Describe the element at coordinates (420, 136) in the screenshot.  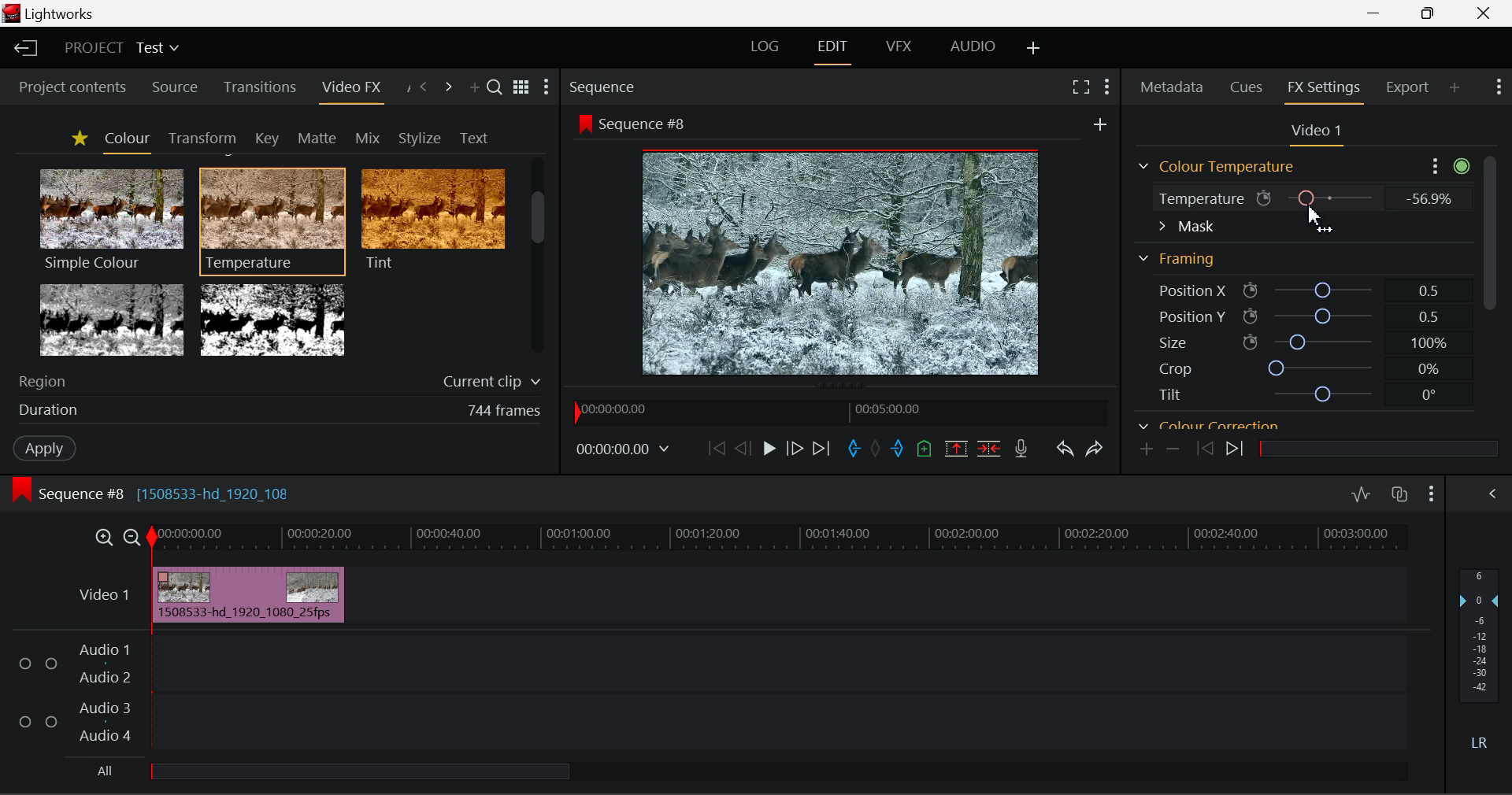
I see `Stylize` at that location.